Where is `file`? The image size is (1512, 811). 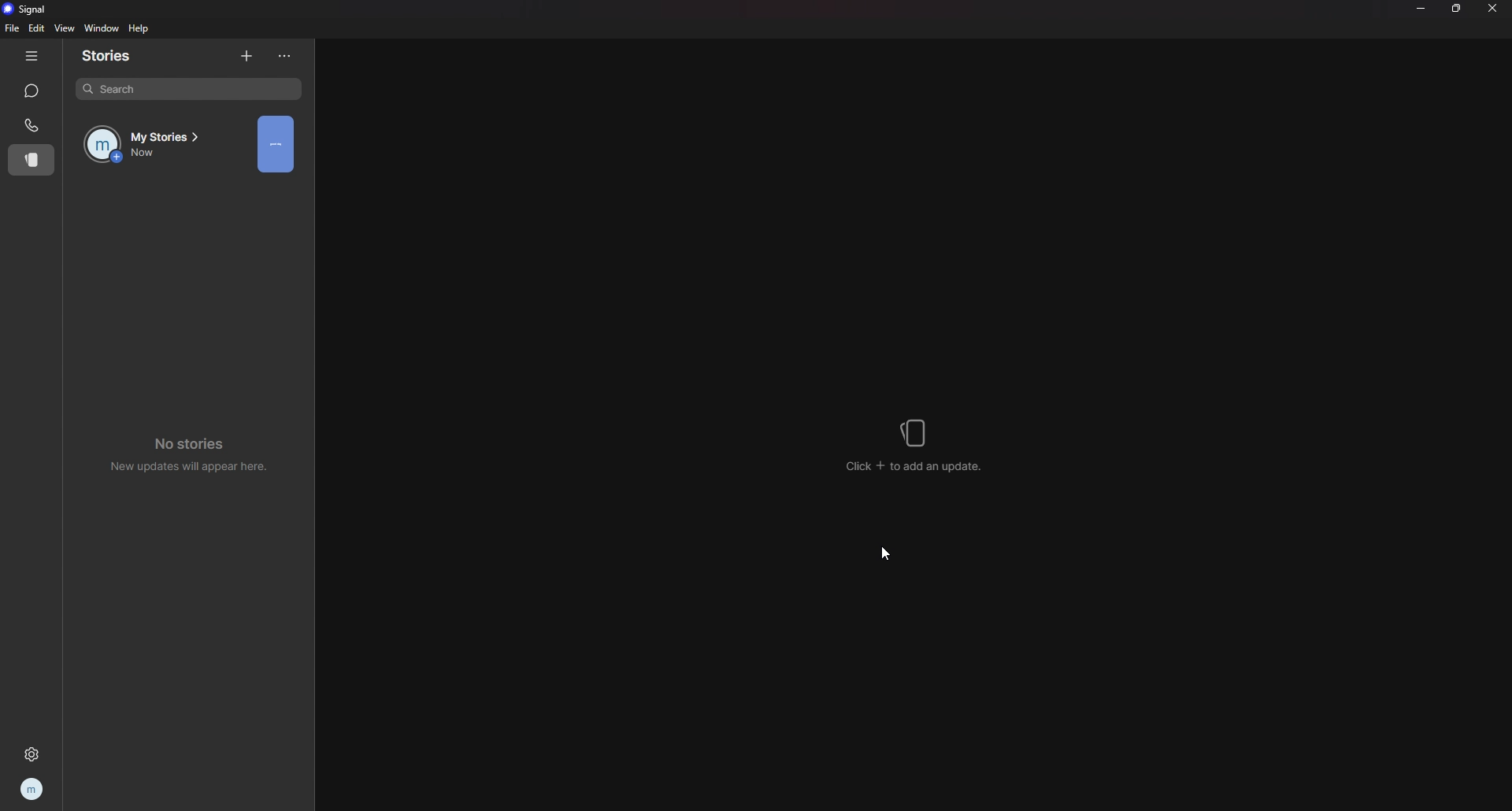 file is located at coordinates (13, 28).